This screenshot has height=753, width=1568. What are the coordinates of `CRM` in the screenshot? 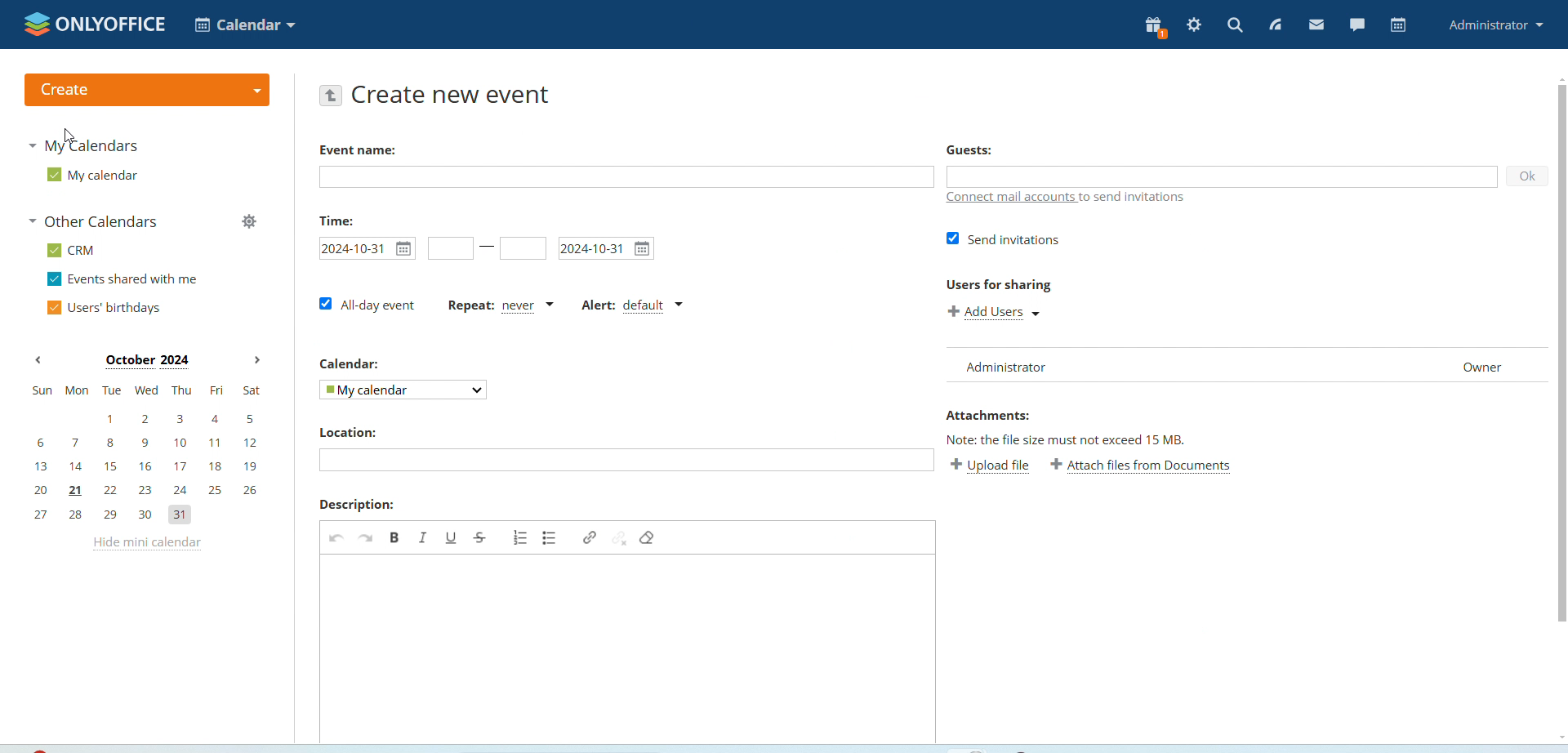 It's located at (73, 250).